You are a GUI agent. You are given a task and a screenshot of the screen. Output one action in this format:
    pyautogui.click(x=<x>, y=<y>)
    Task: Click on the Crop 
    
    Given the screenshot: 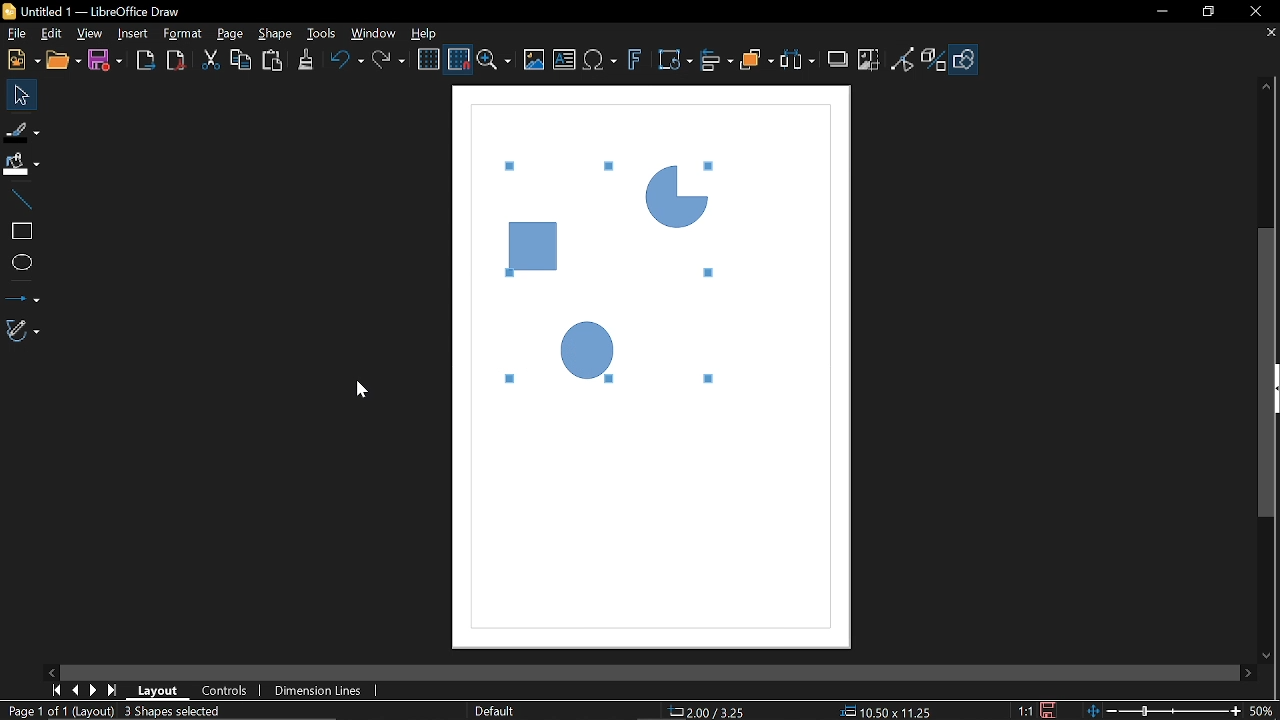 What is the action you would take?
    pyautogui.click(x=869, y=60)
    